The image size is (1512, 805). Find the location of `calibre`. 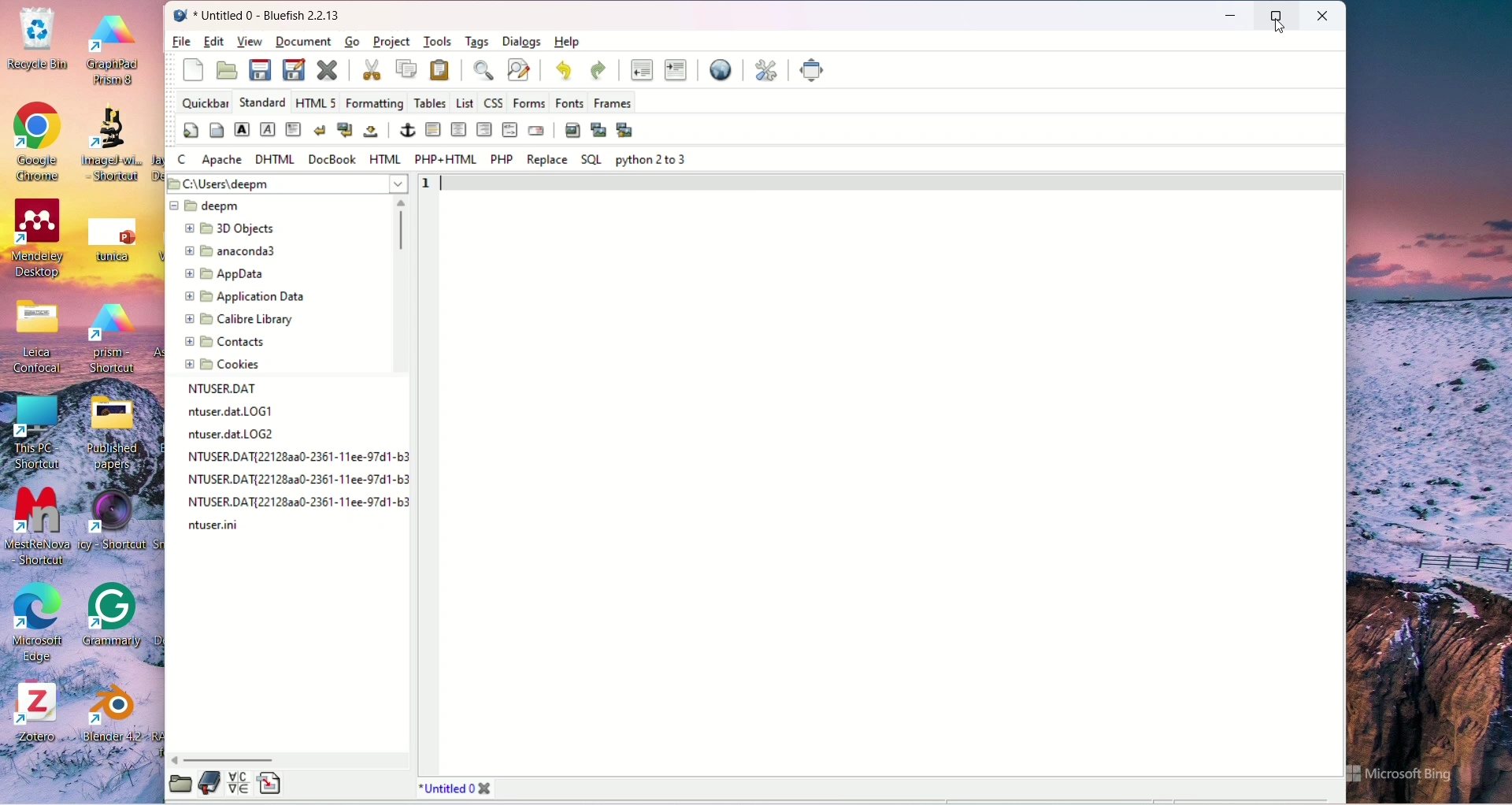

calibre is located at coordinates (240, 320).